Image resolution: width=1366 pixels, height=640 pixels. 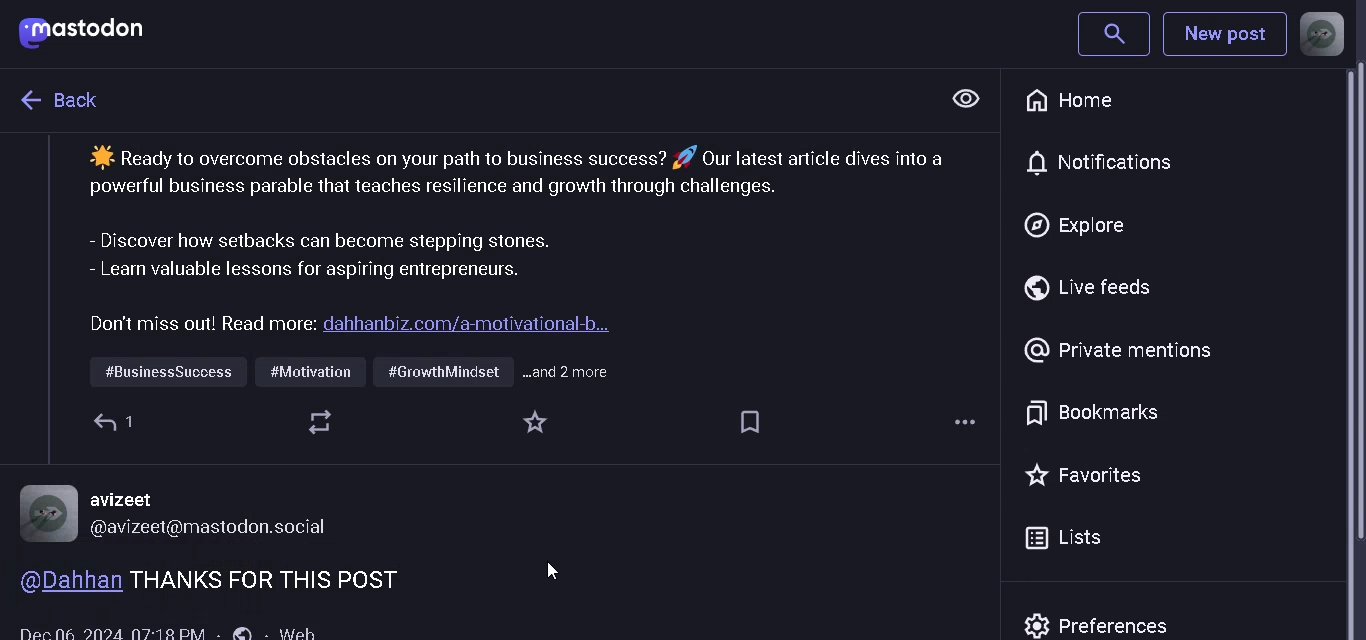 I want to click on #BusinessSuccess, so click(x=168, y=373).